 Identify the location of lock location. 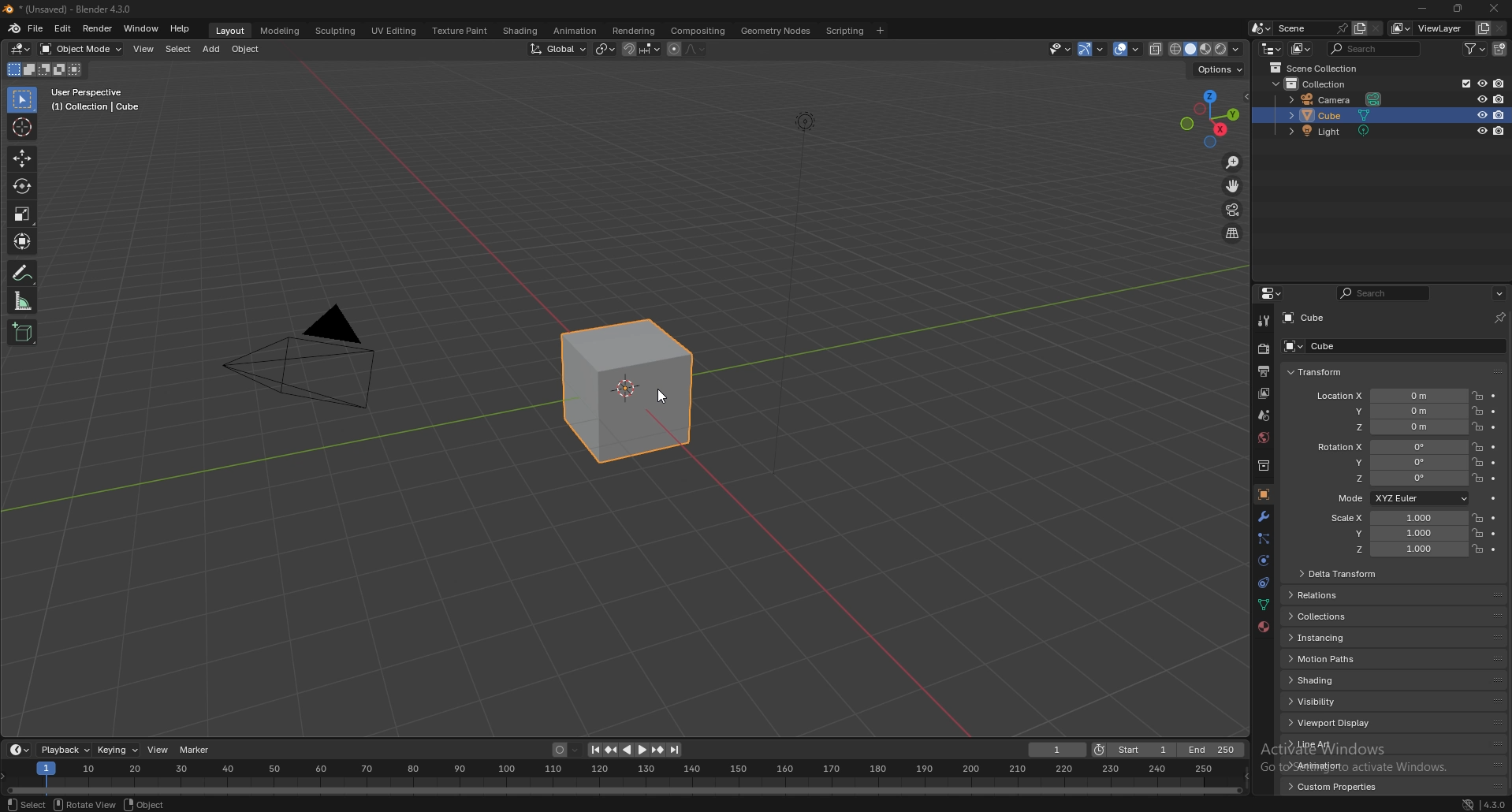
(1478, 532).